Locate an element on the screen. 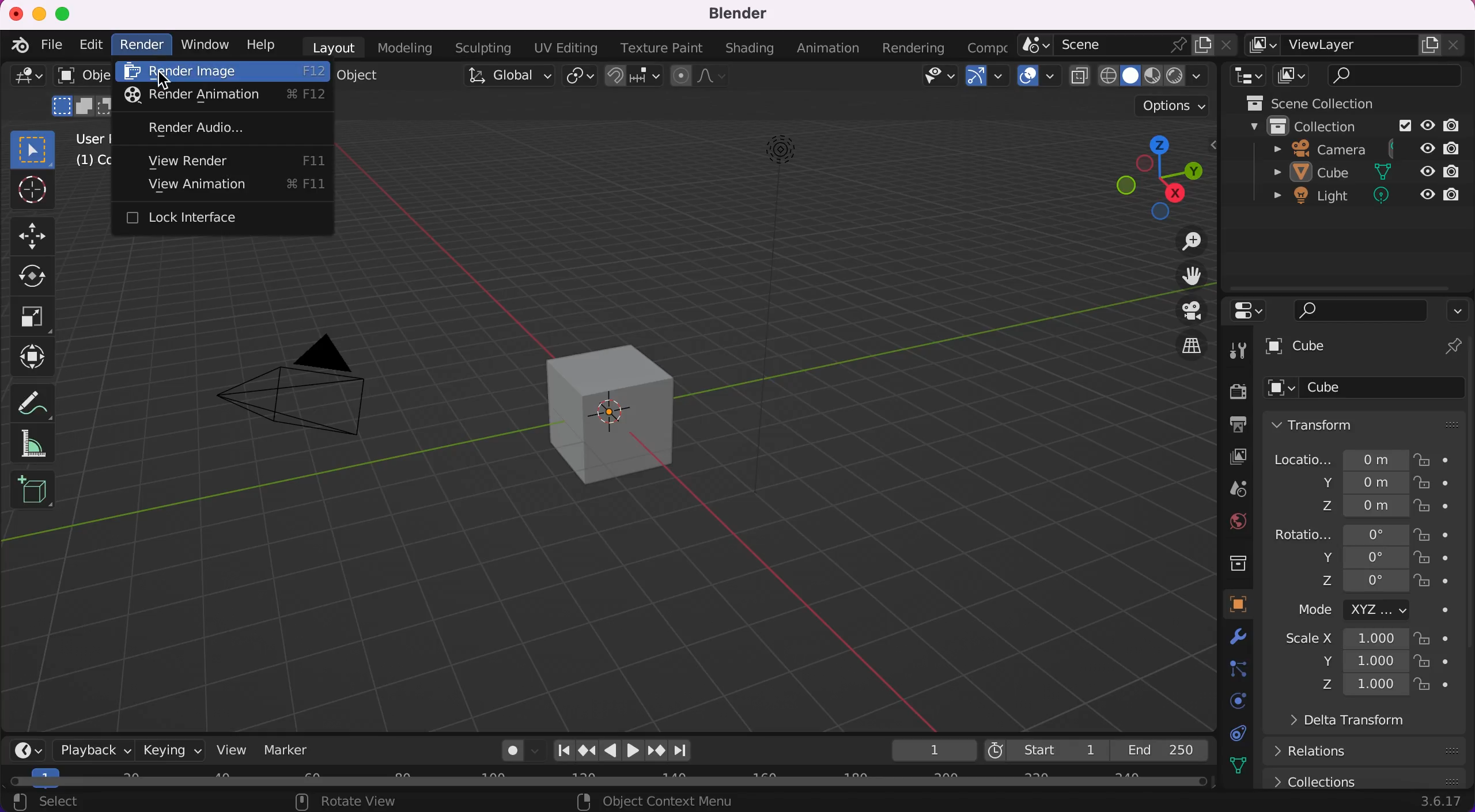 The height and width of the screenshot is (812, 1475). disable in render is located at coordinates (1454, 193).